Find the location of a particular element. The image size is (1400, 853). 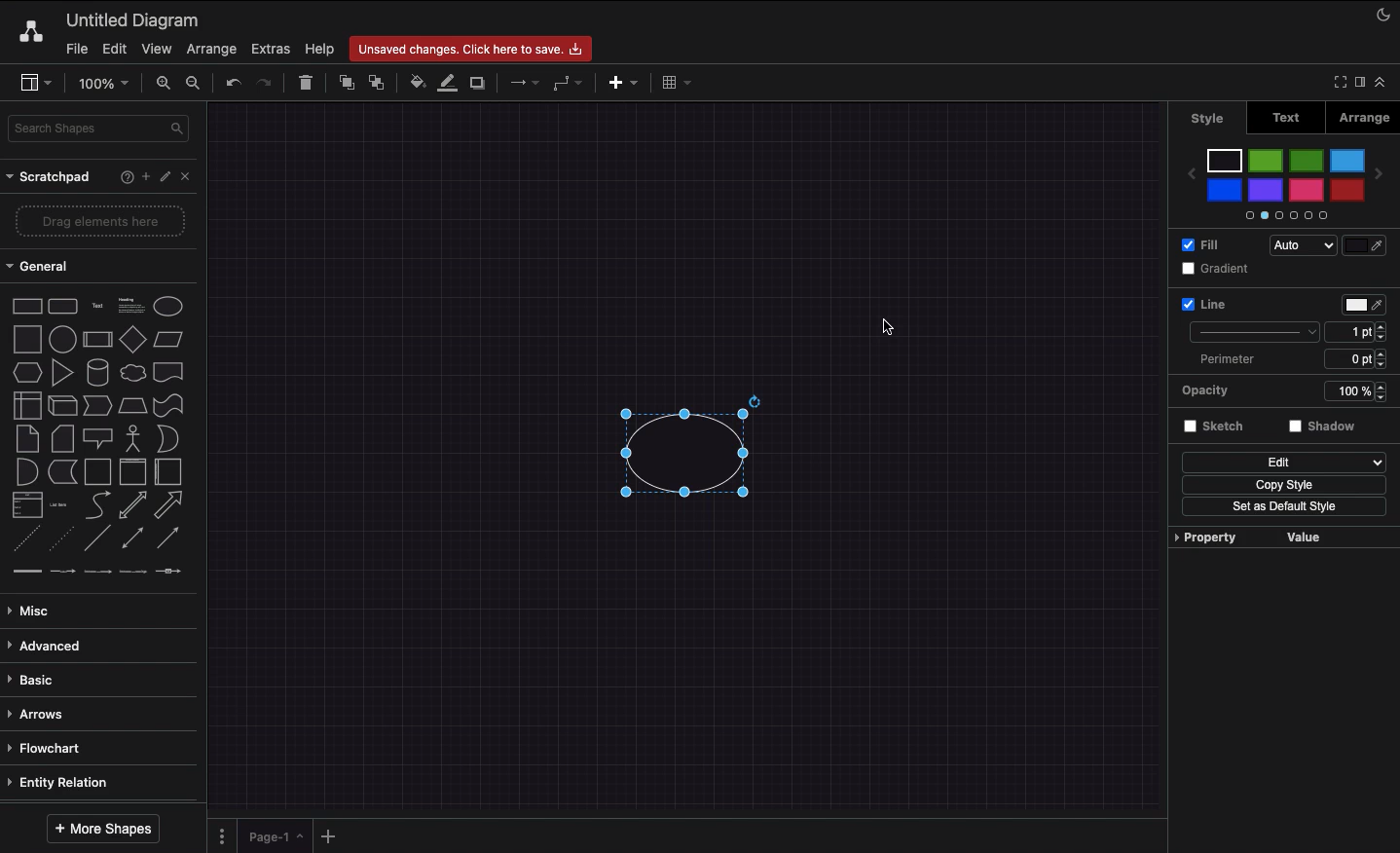

Cube is located at coordinates (62, 406).